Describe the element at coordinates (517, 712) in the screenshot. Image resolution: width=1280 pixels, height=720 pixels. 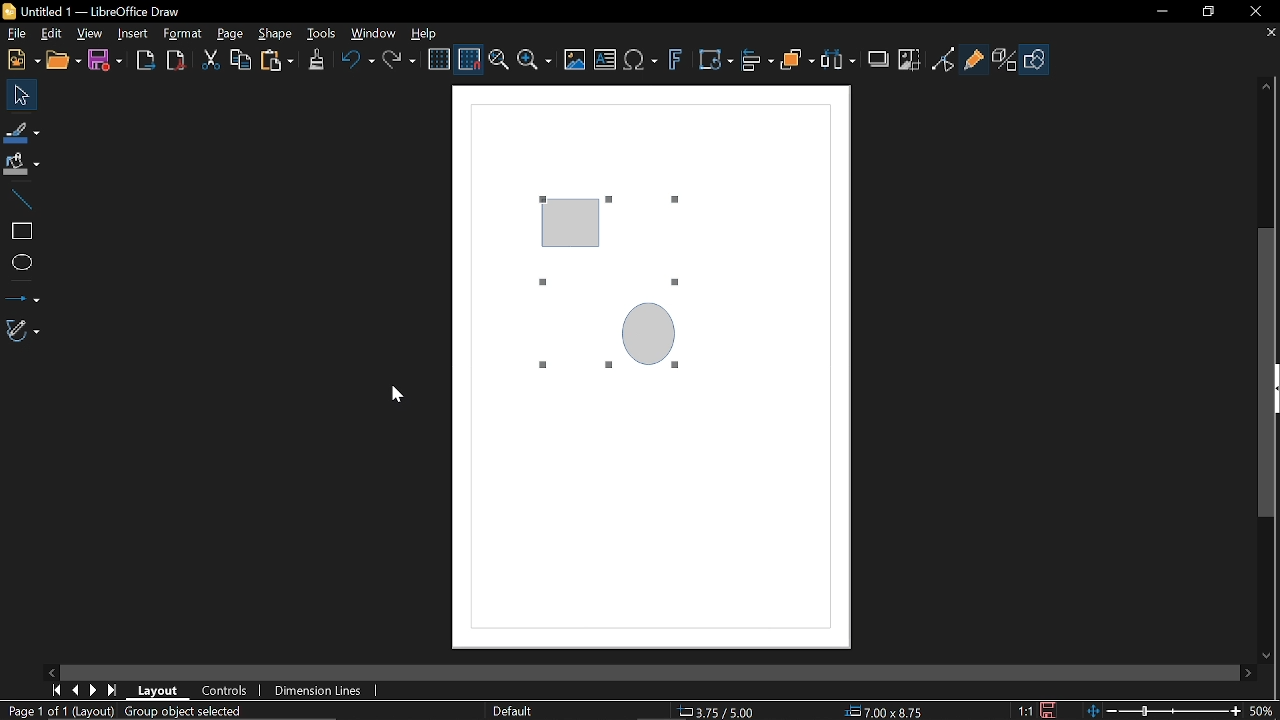
I see `Slide master name` at that location.